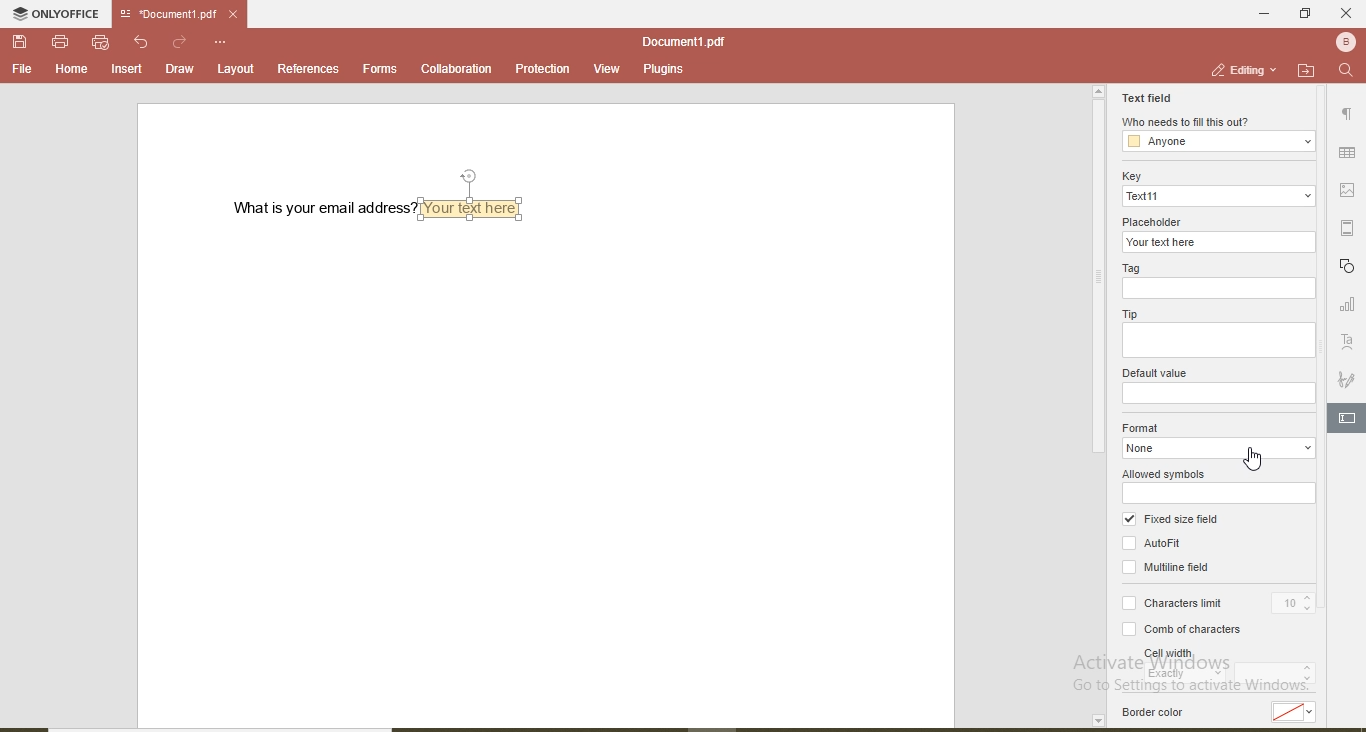  I want to click on allowed symbols, so click(1165, 474).